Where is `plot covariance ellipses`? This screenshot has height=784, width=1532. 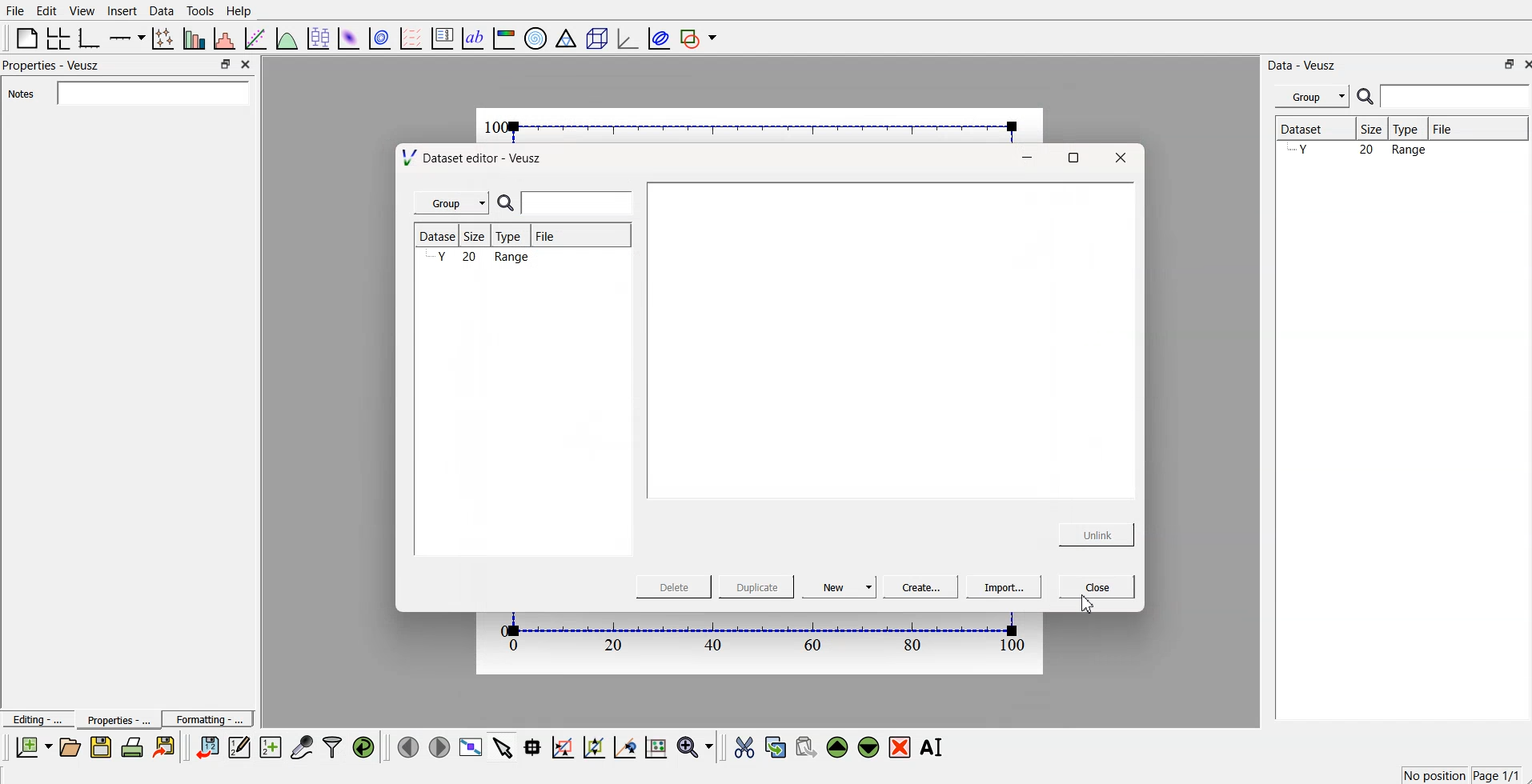
plot covariance ellipses is located at coordinates (656, 37).